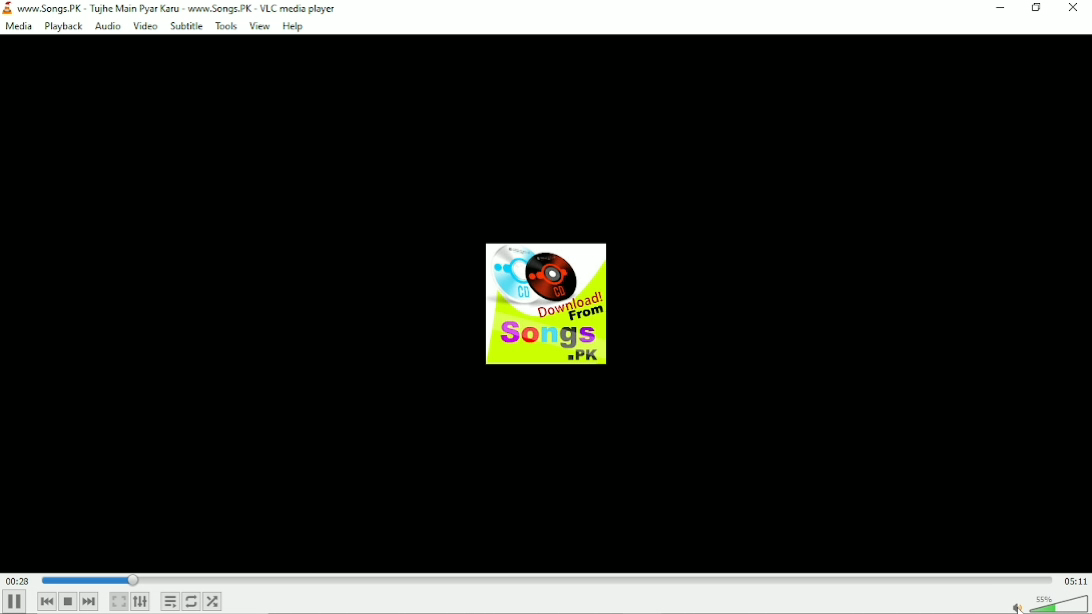 This screenshot has width=1092, height=614. What do you see at coordinates (1049, 603) in the screenshot?
I see `Volume` at bounding box center [1049, 603].